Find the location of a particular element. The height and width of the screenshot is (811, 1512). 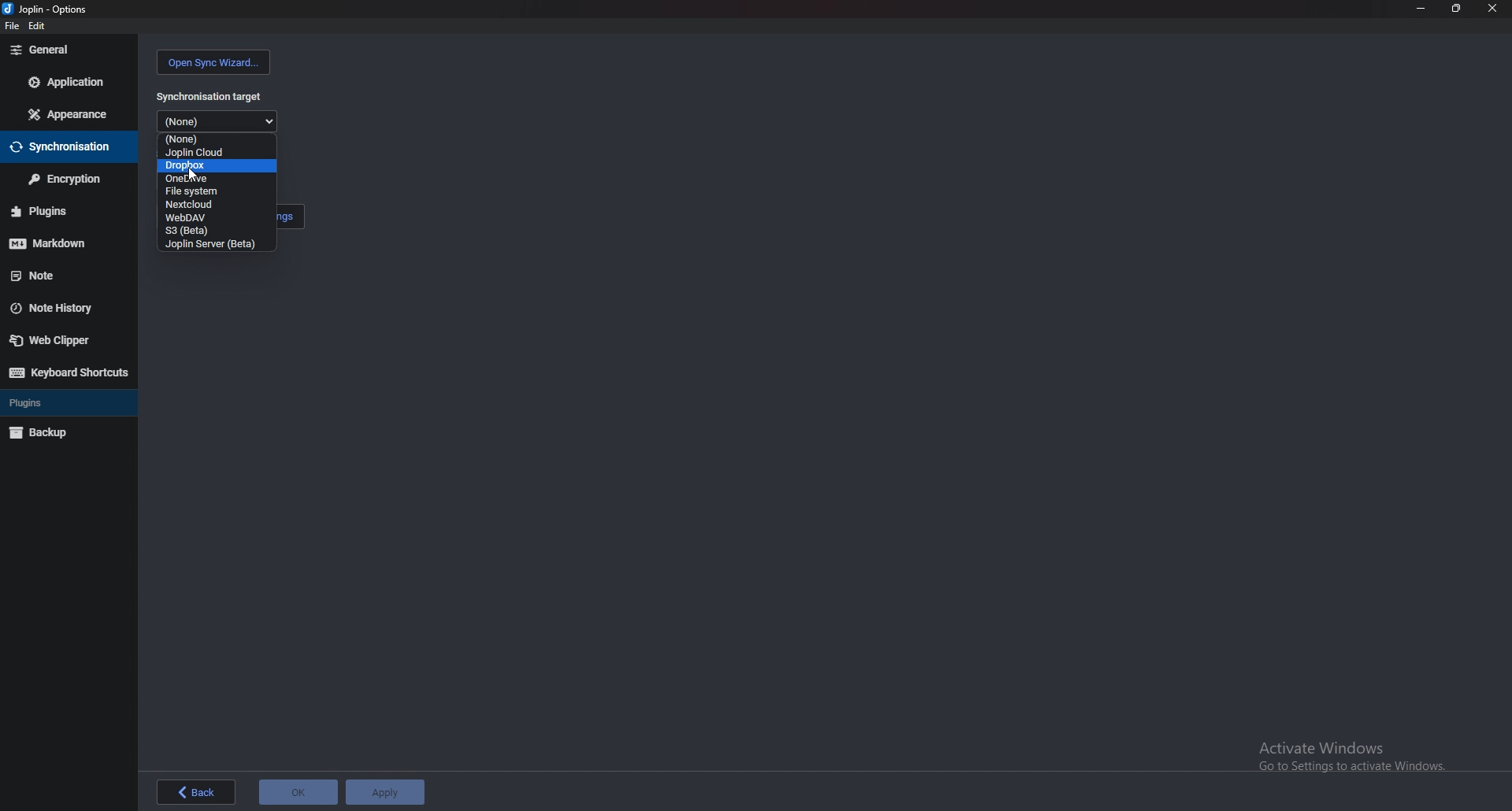

markdown is located at coordinates (61, 243).